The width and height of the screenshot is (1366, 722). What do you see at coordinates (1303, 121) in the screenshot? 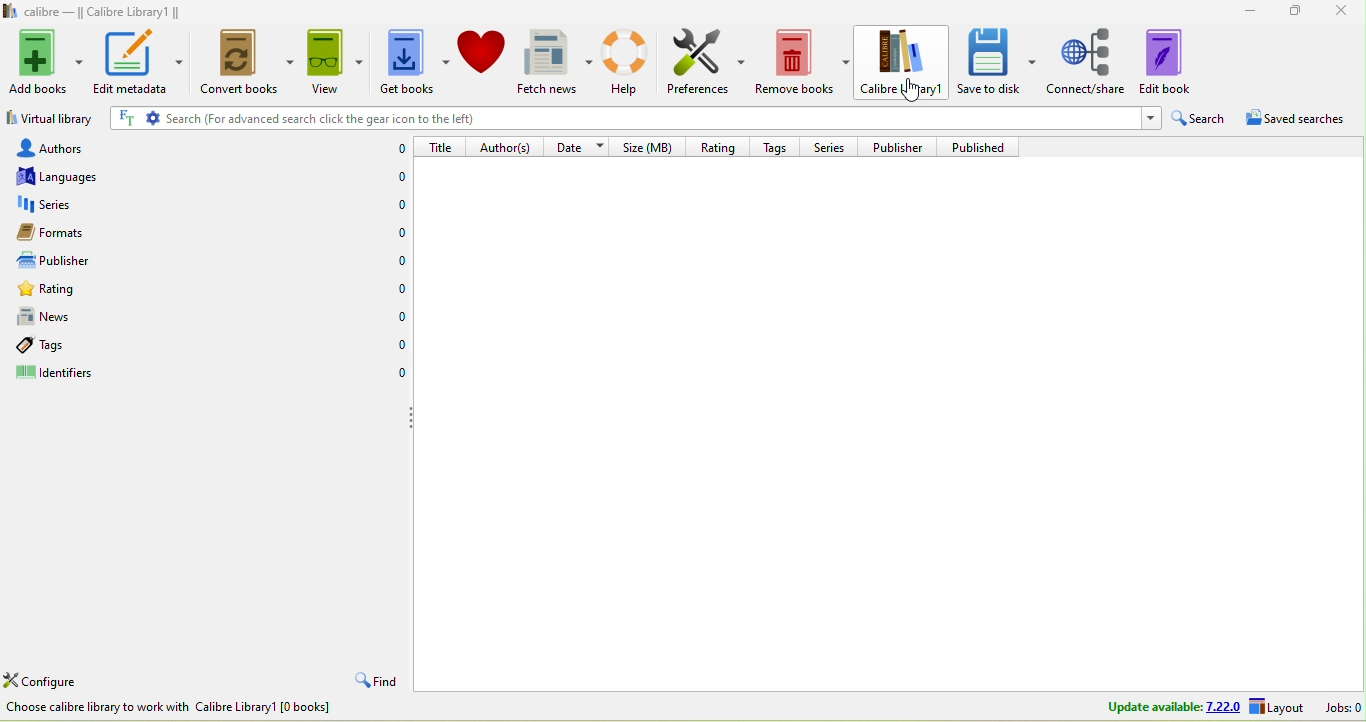
I see `saved searches` at bounding box center [1303, 121].